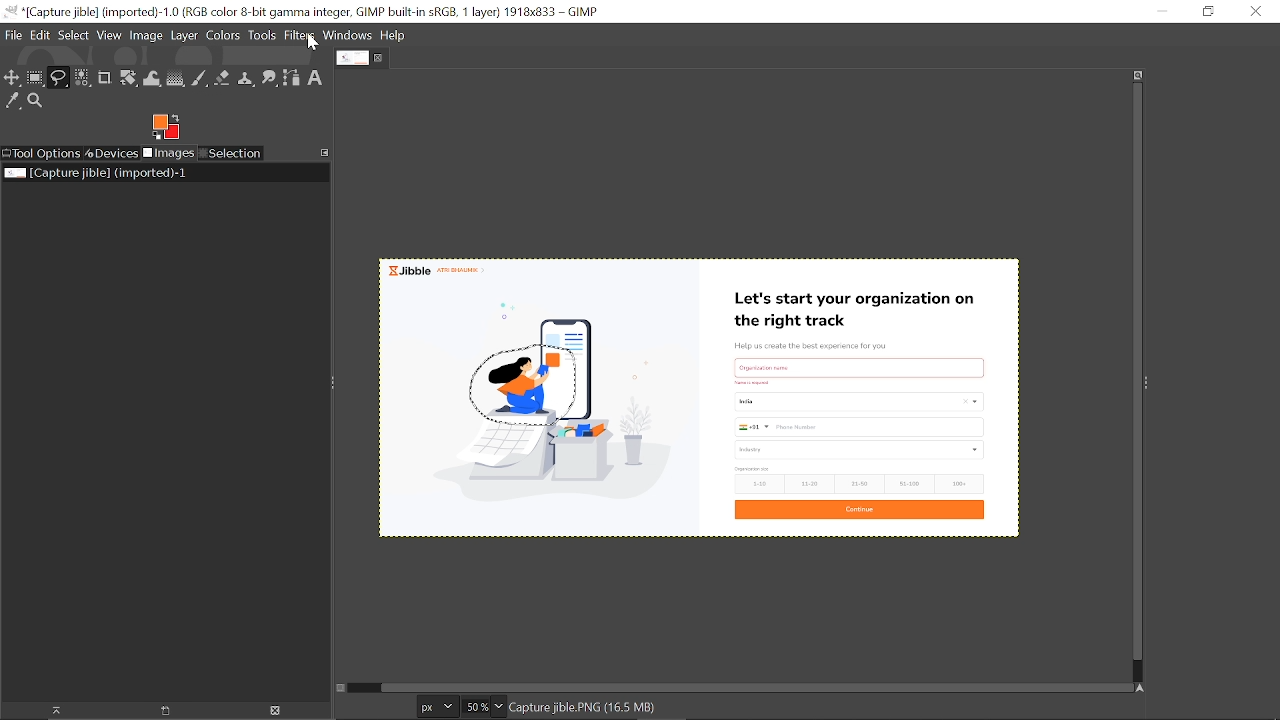 The width and height of the screenshot is (1280, 720). What do you see at coordinates (1159, 11) in the screenshot?
I see `Minimize` at bounding box center [1159, 11].